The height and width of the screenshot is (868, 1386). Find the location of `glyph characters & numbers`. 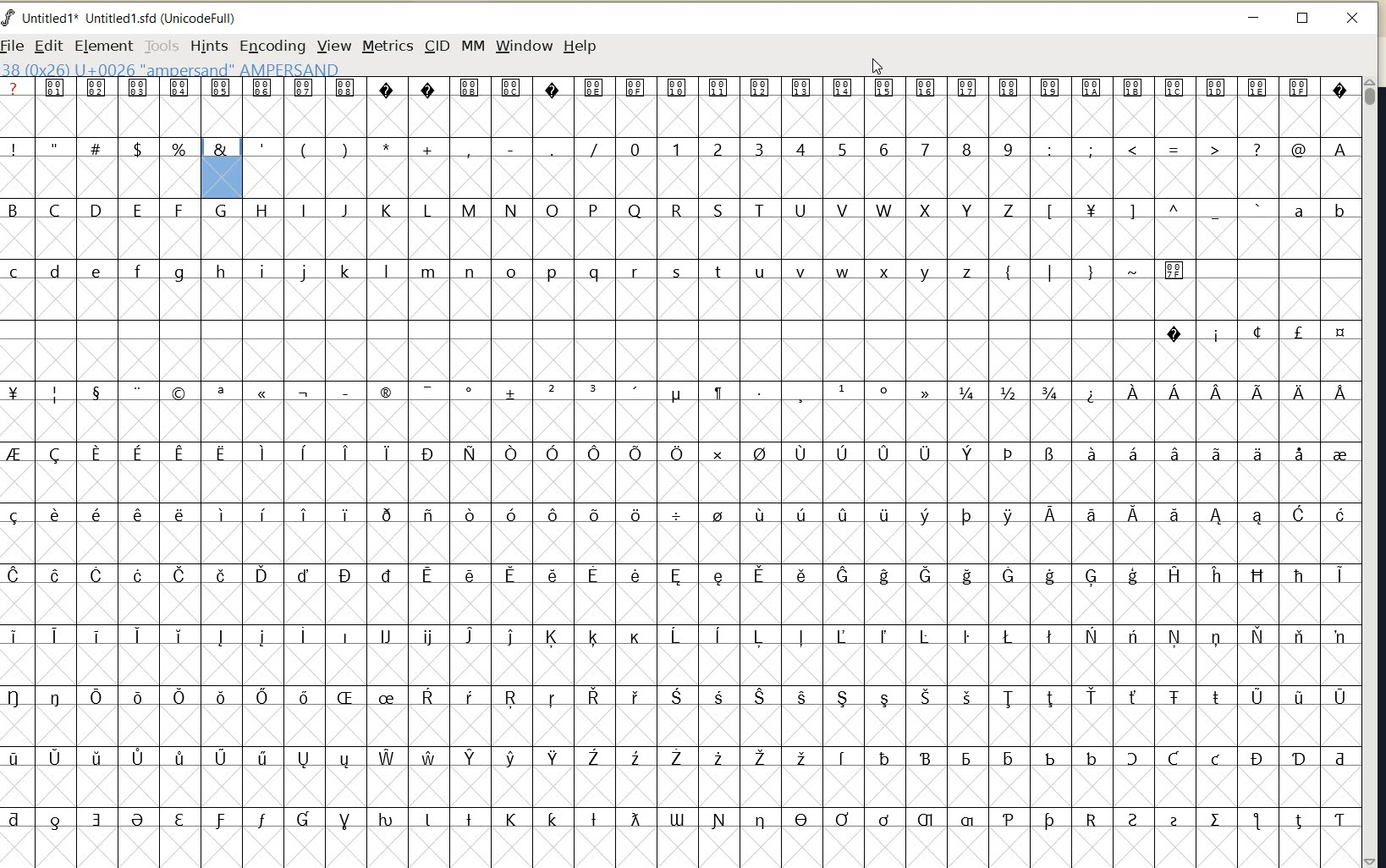

glyph characters & numbers is located at coordinates (778, 525).